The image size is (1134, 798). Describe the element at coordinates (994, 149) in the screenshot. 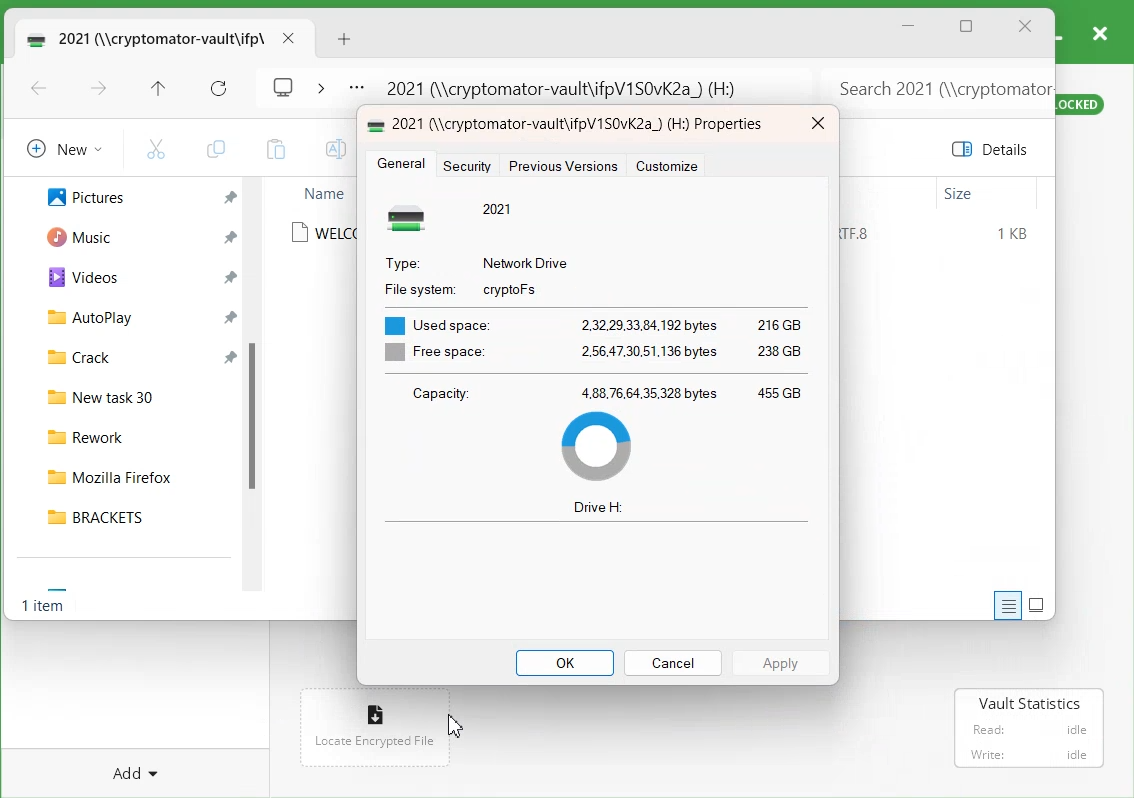

I see `Details` at that location.